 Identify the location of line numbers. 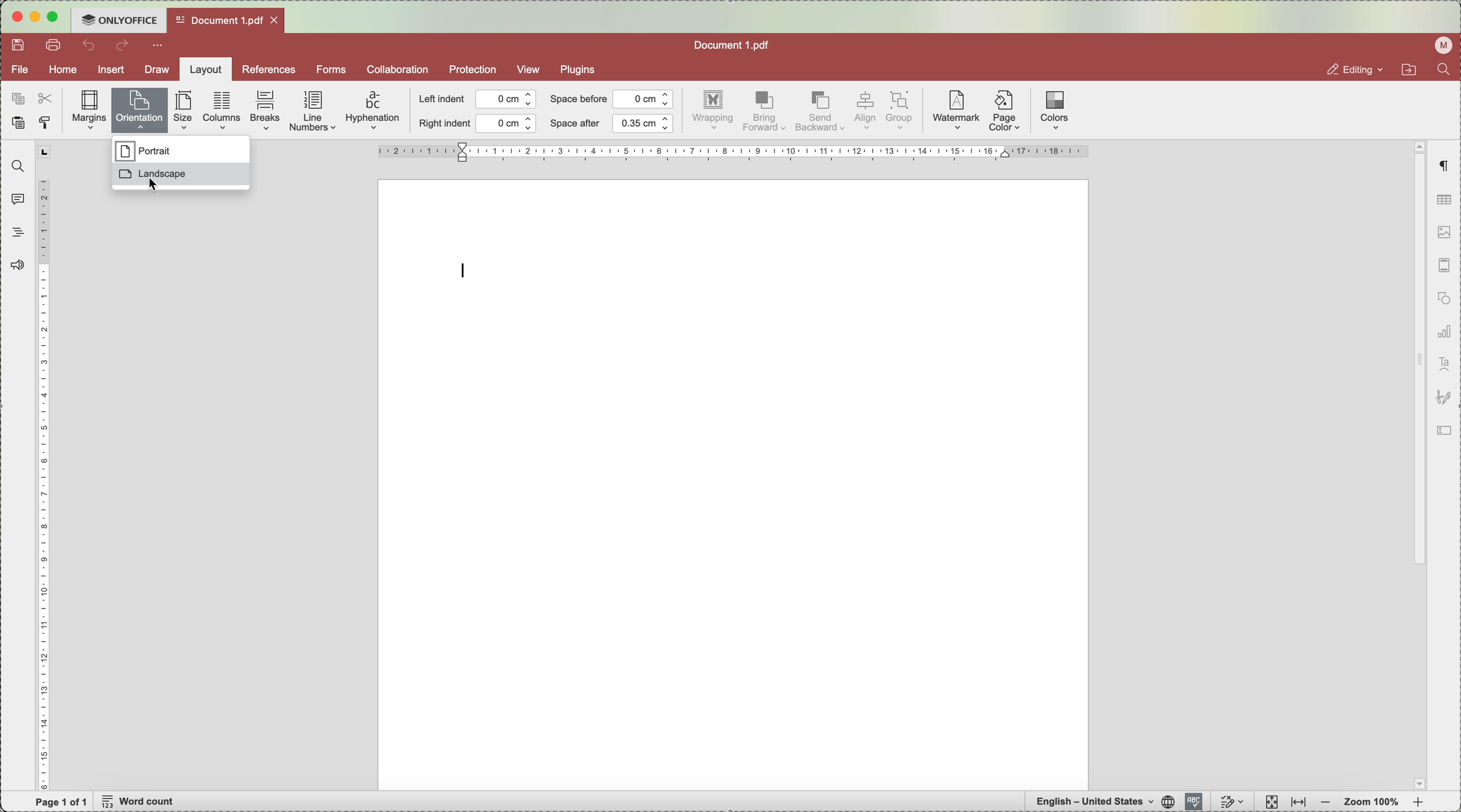
(314, 112).